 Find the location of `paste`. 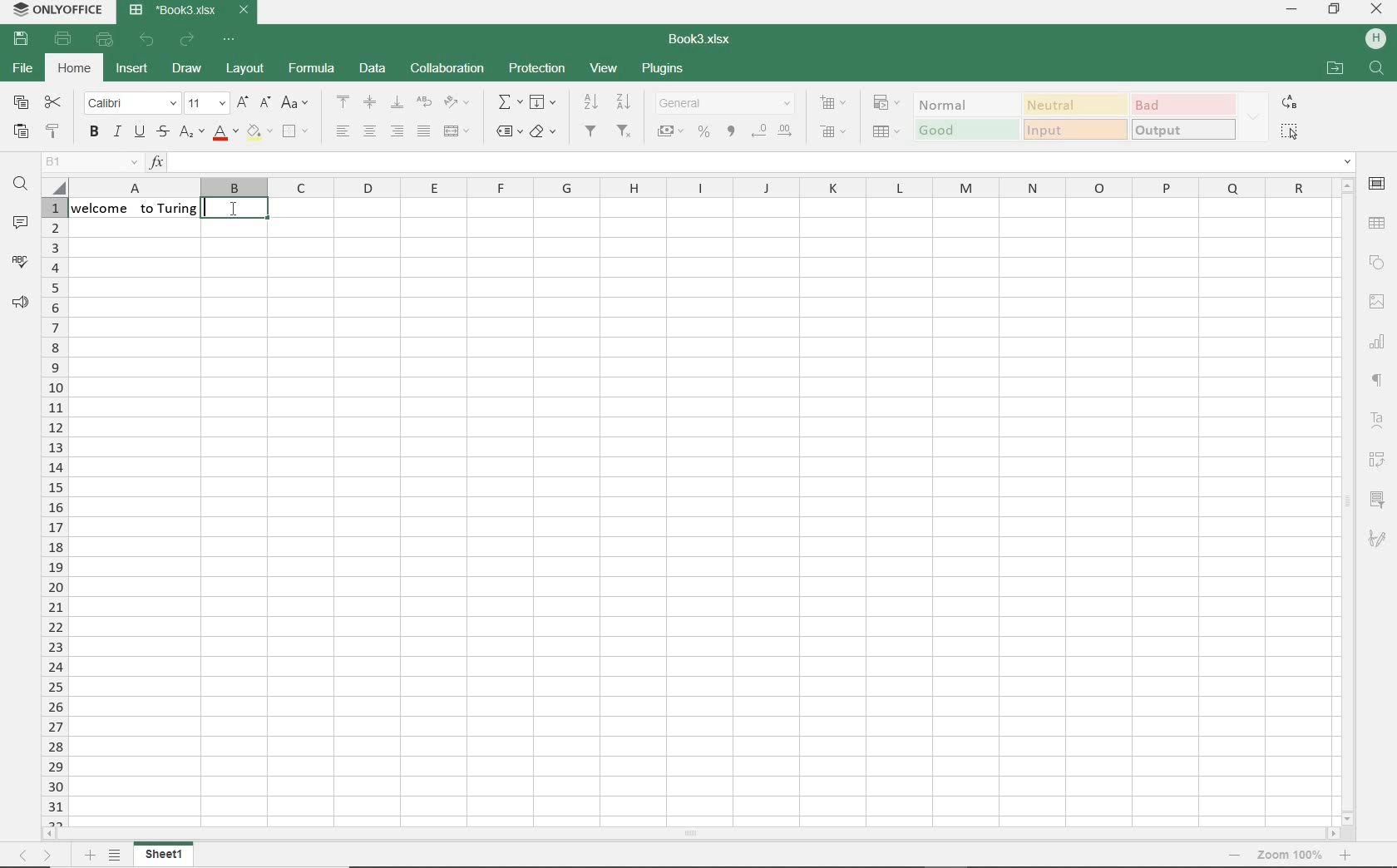

paste is located at coordinates (19, 131).